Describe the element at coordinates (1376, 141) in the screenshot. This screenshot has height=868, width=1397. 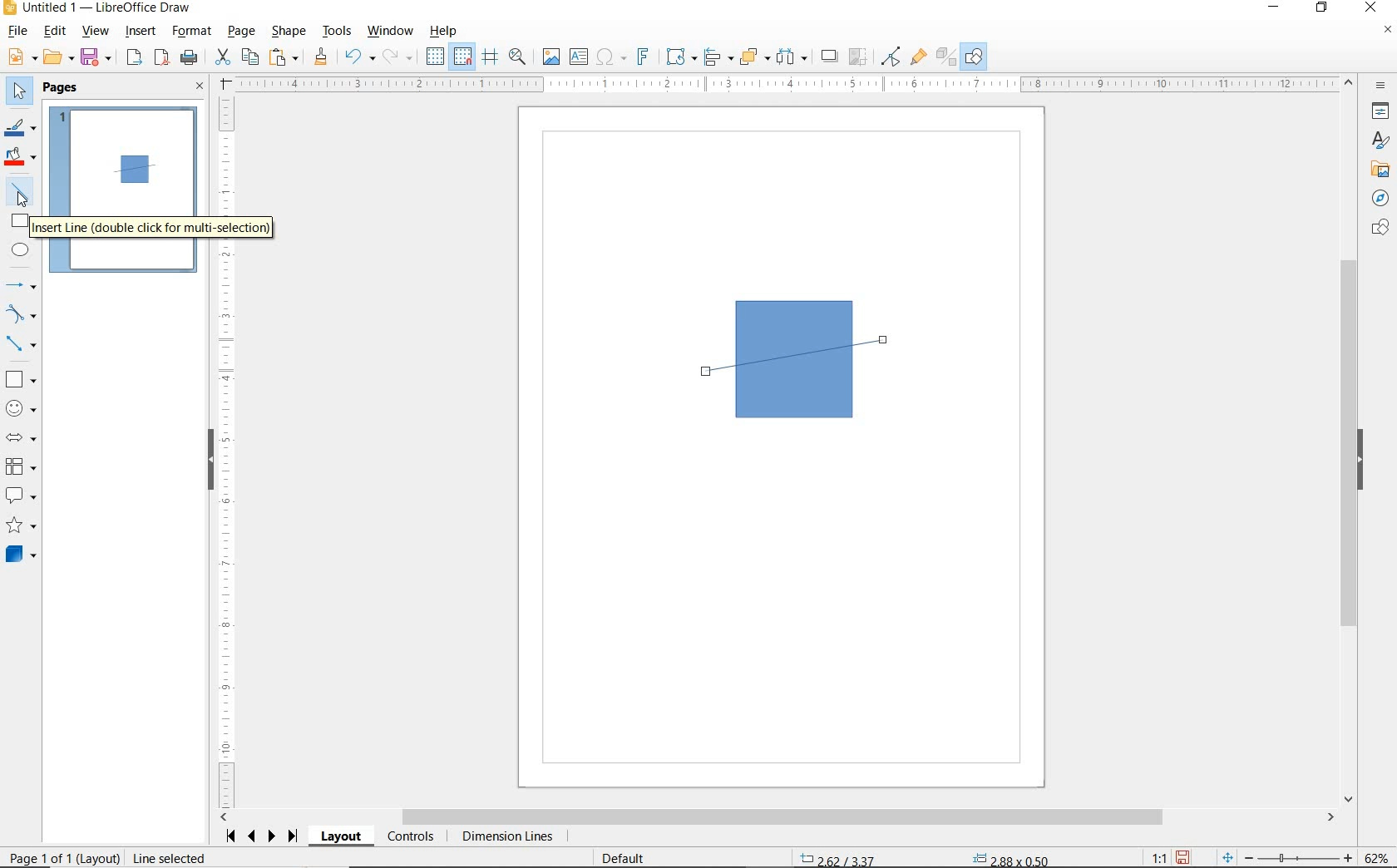
I see `STYLES` at that location.